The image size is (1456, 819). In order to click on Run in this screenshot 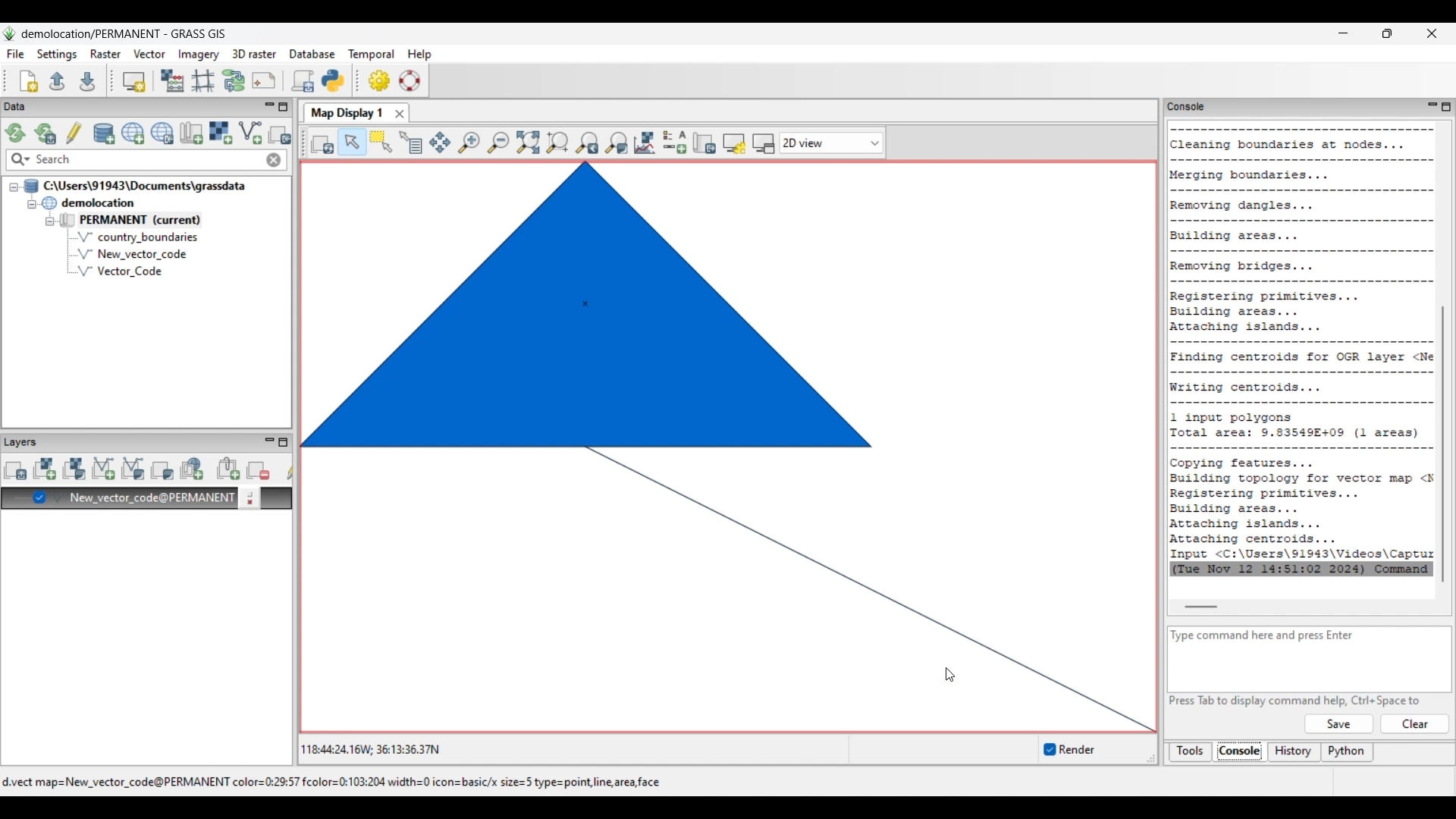, I will do `click(1416, 724)`.